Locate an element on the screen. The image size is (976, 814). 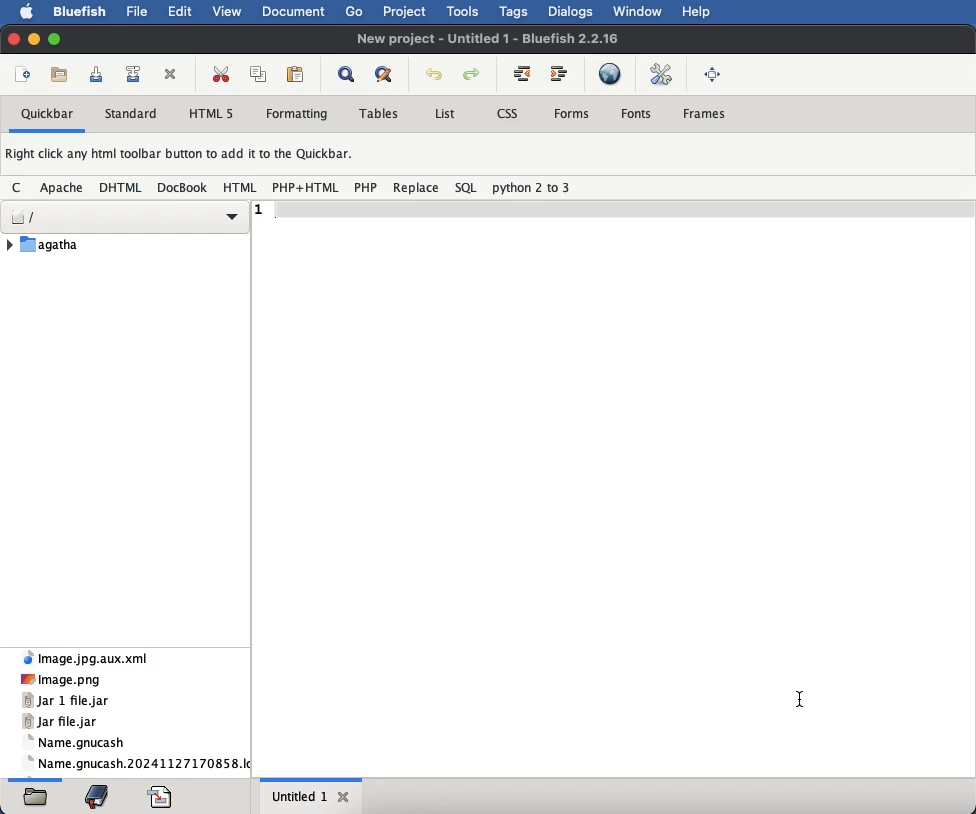
project is located at coordinates (406, 13).